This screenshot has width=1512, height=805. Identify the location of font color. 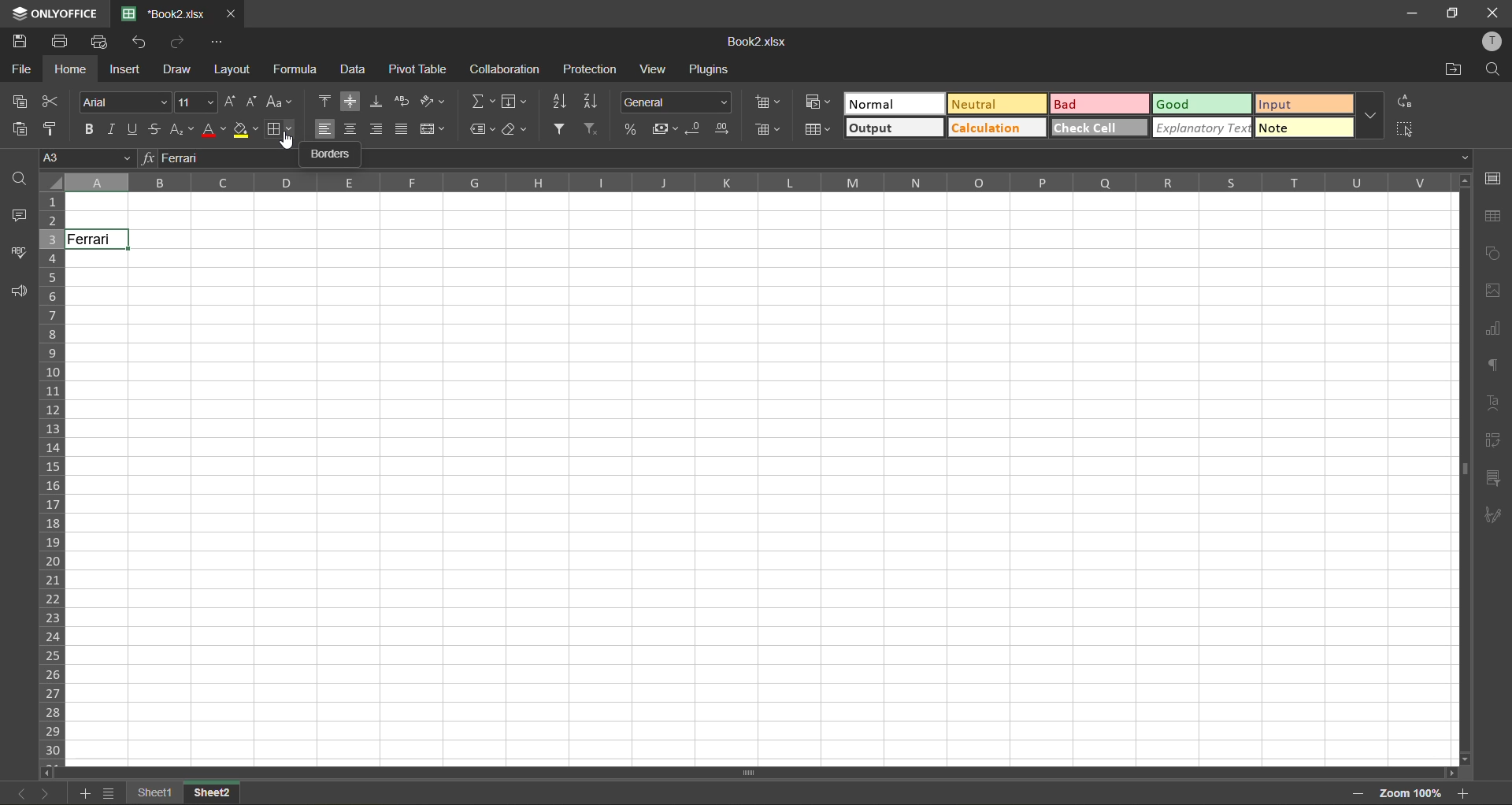
(213, 130).